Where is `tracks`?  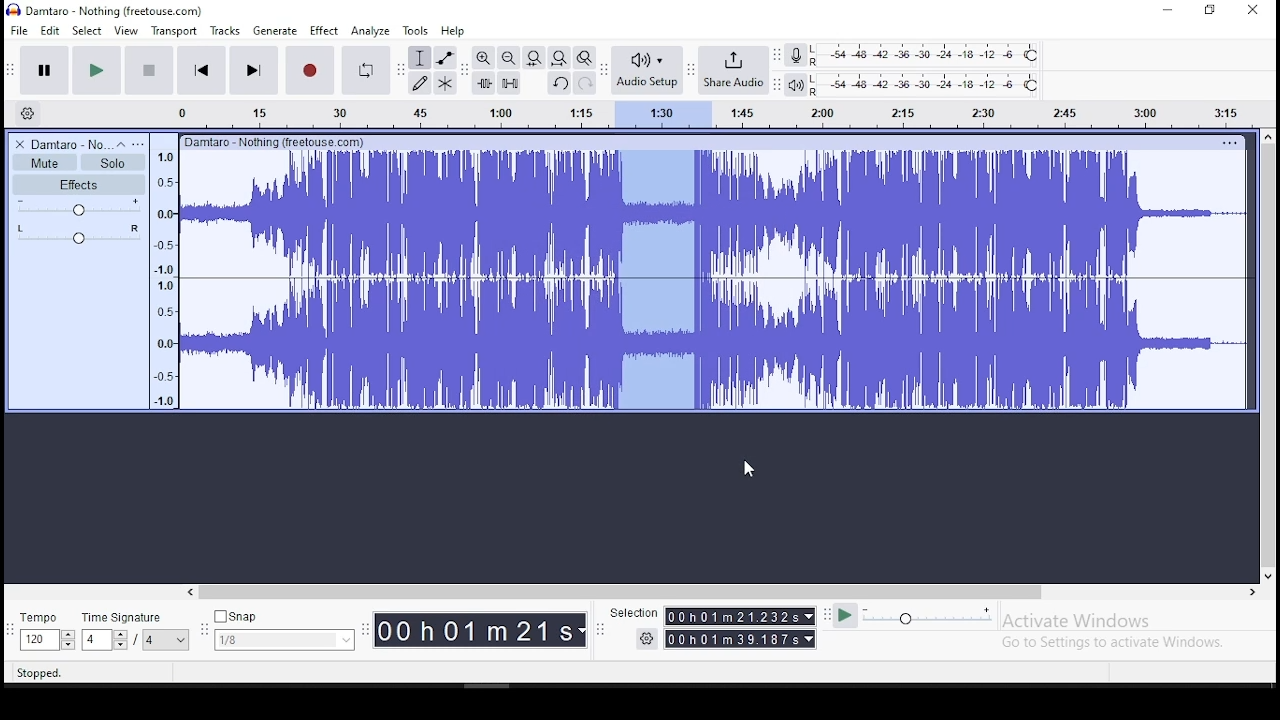 tracks is located at coordinates (227, 31).